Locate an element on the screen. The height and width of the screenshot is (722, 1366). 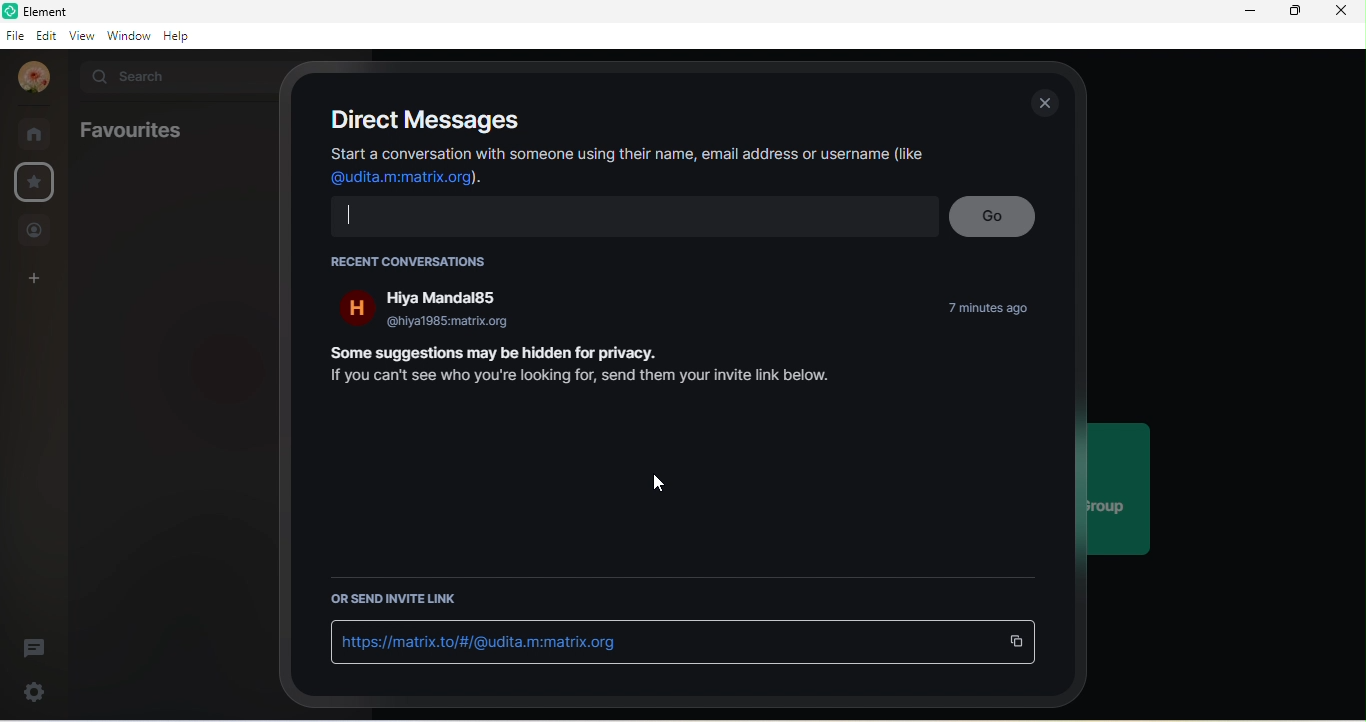
minimize is located at coordinates (1245, 13).